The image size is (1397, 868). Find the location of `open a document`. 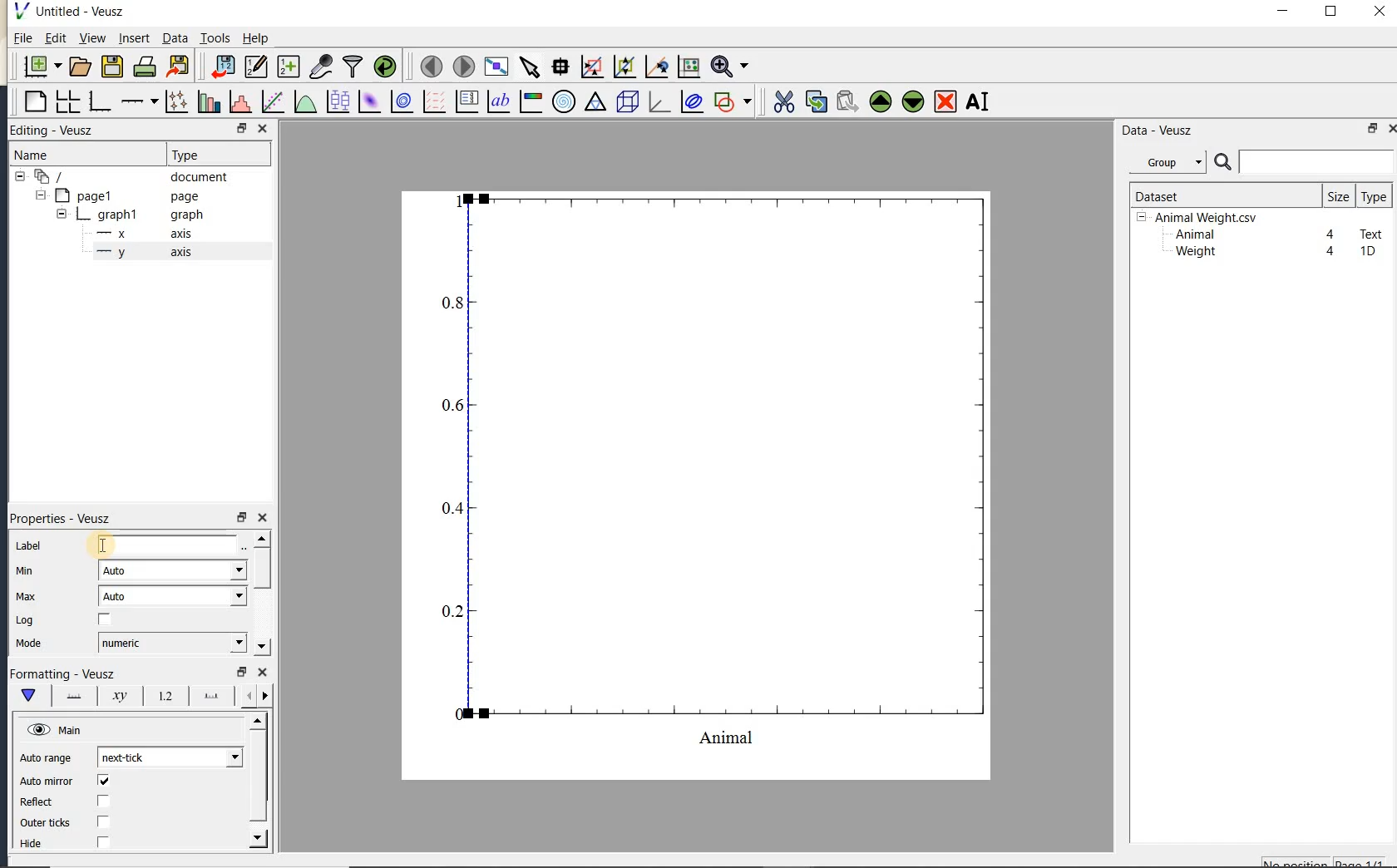

open a document is located at coordinates (78, 67).